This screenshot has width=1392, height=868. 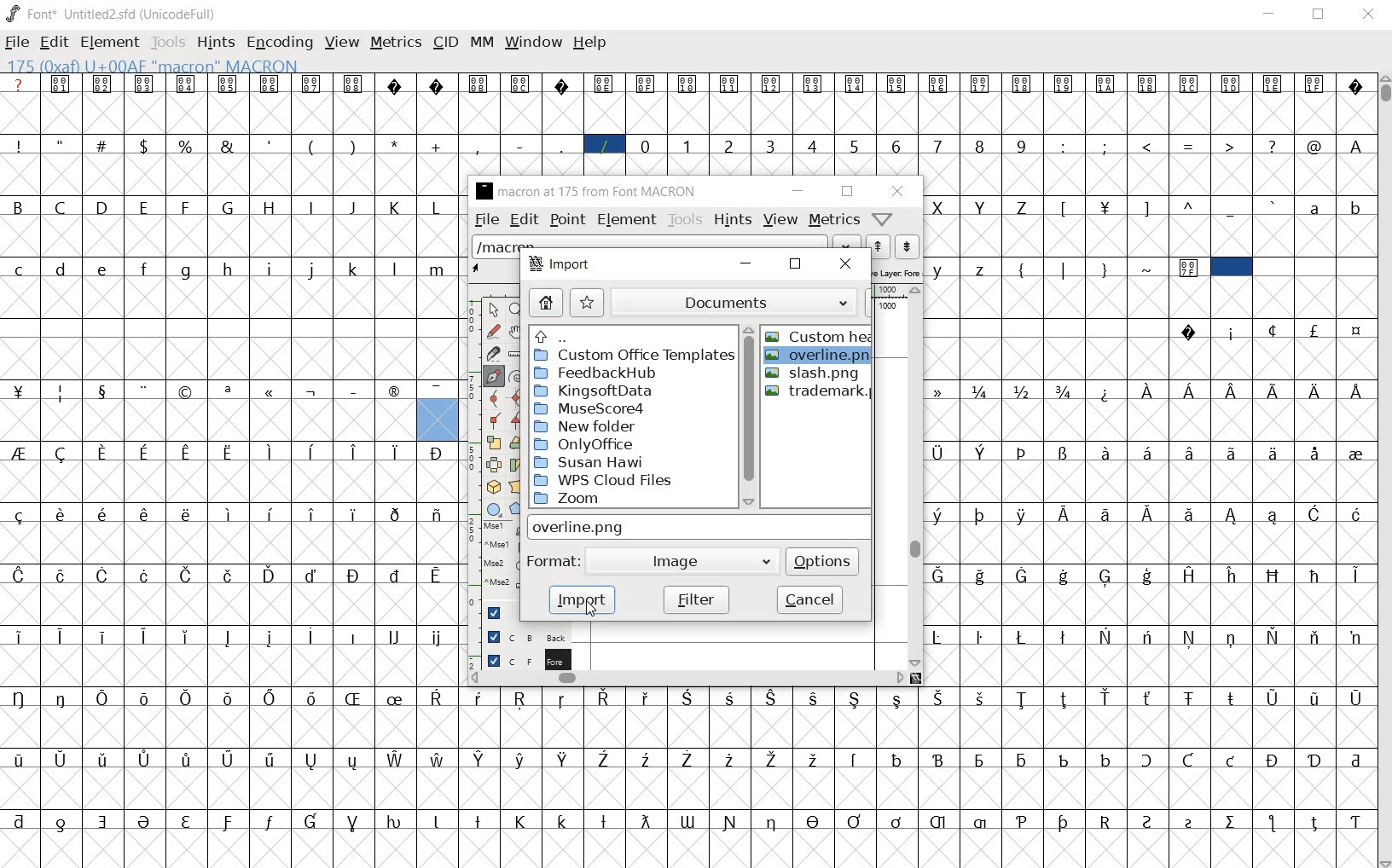 I want to click on Symbol, so click(x=1064, y=757).